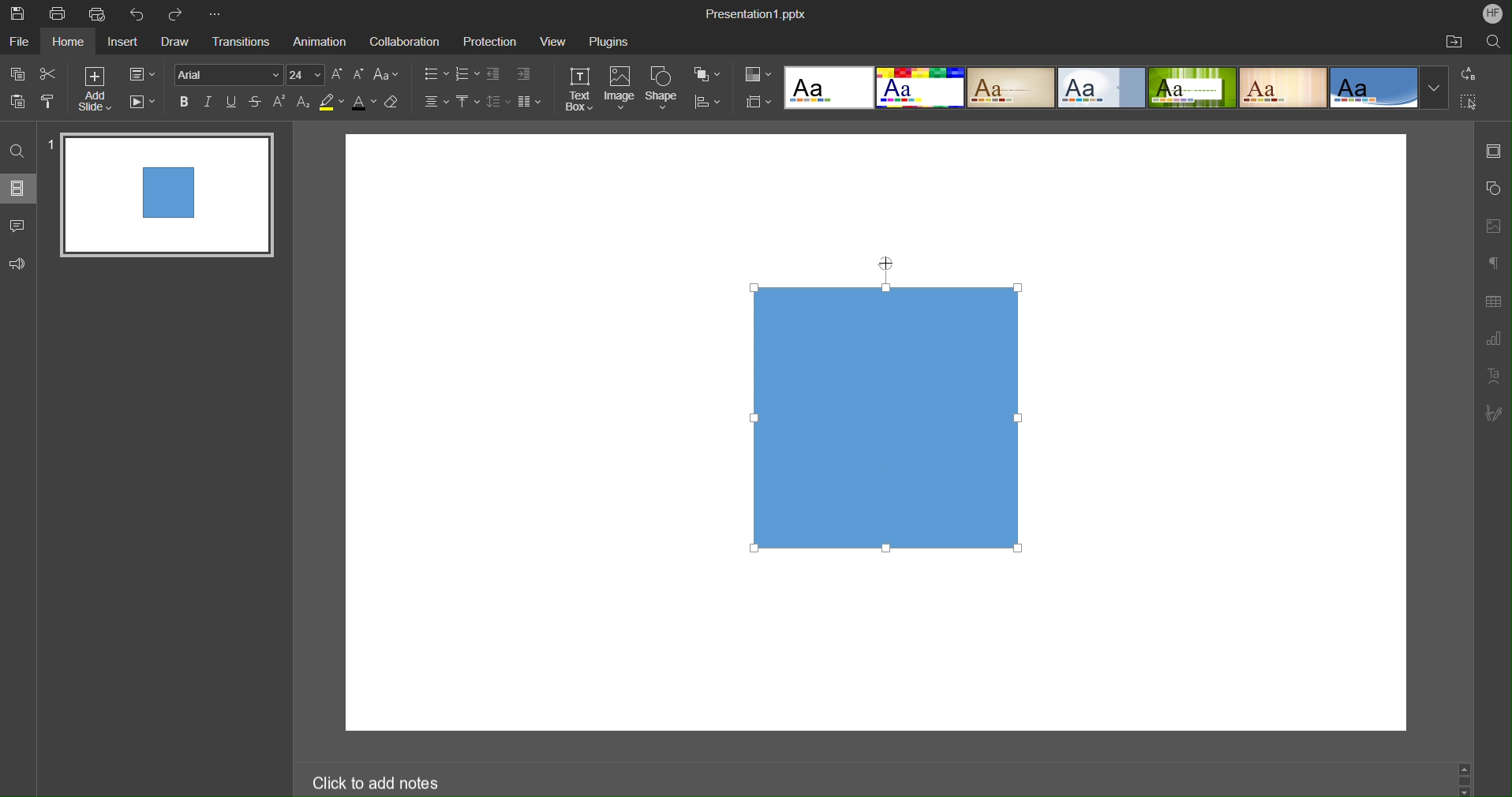  Describe the element at coordinates (305, 76) in the screenshot. I see `Font Size` at that location.